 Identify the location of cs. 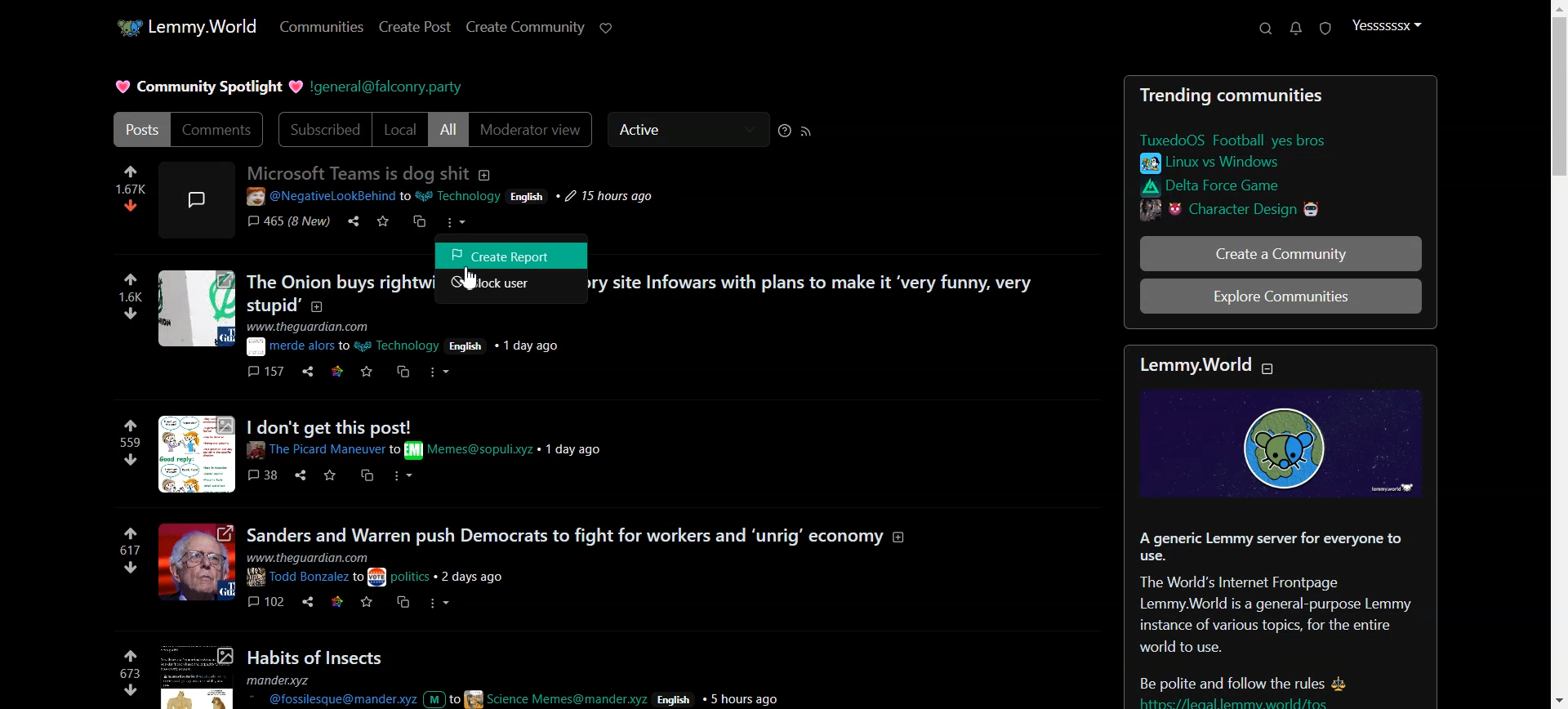
(367, 477).